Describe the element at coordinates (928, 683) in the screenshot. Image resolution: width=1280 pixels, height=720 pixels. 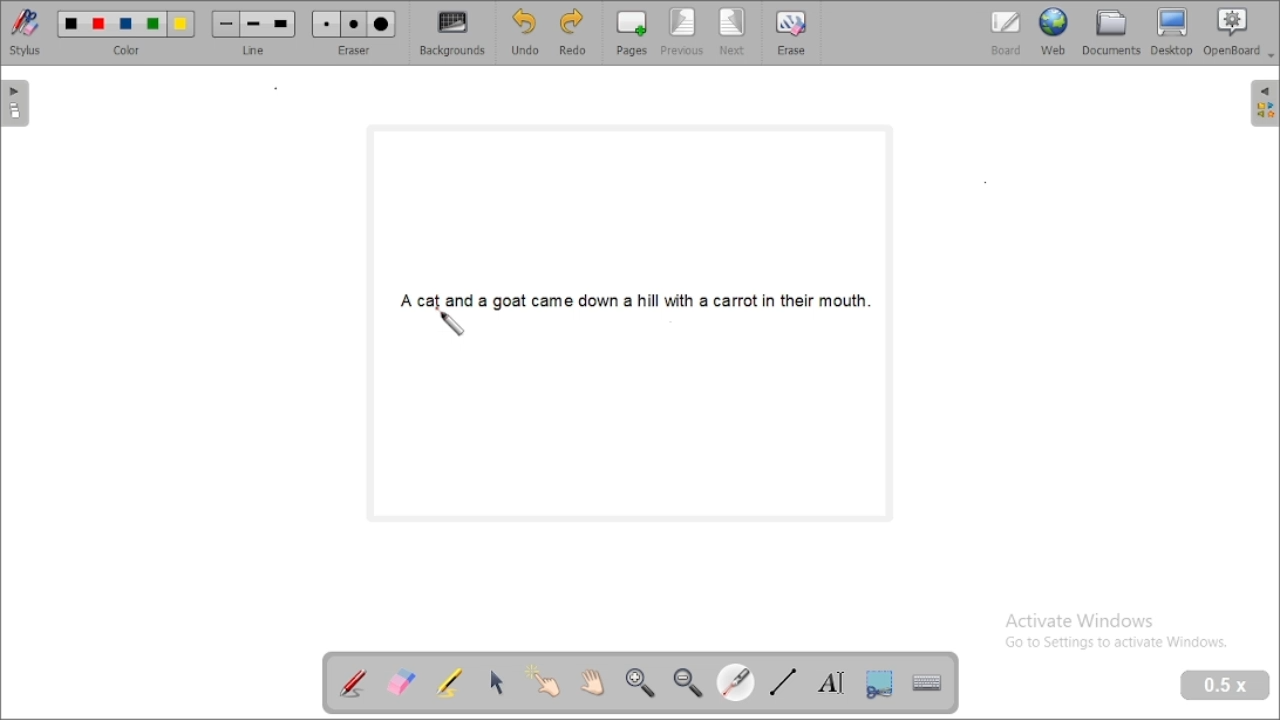
I see `display virtual keyboard` at that location.